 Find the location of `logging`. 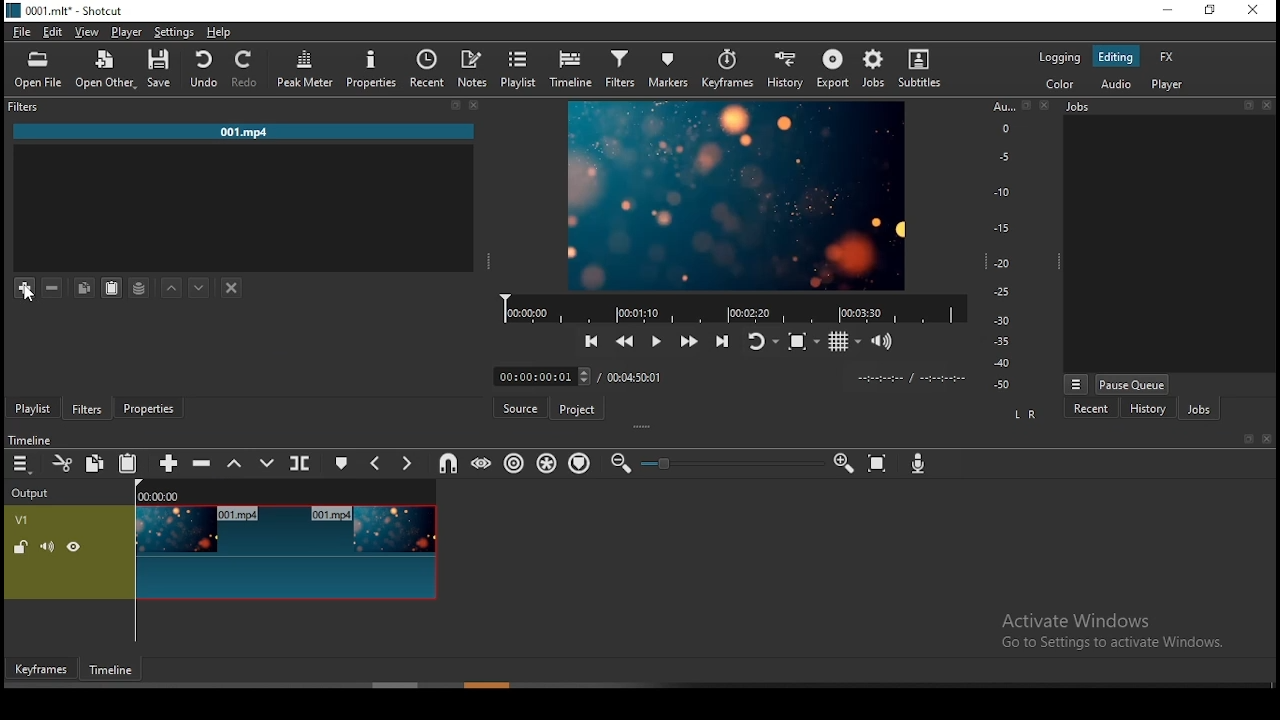

logging is located at coordinates (1056, 58).